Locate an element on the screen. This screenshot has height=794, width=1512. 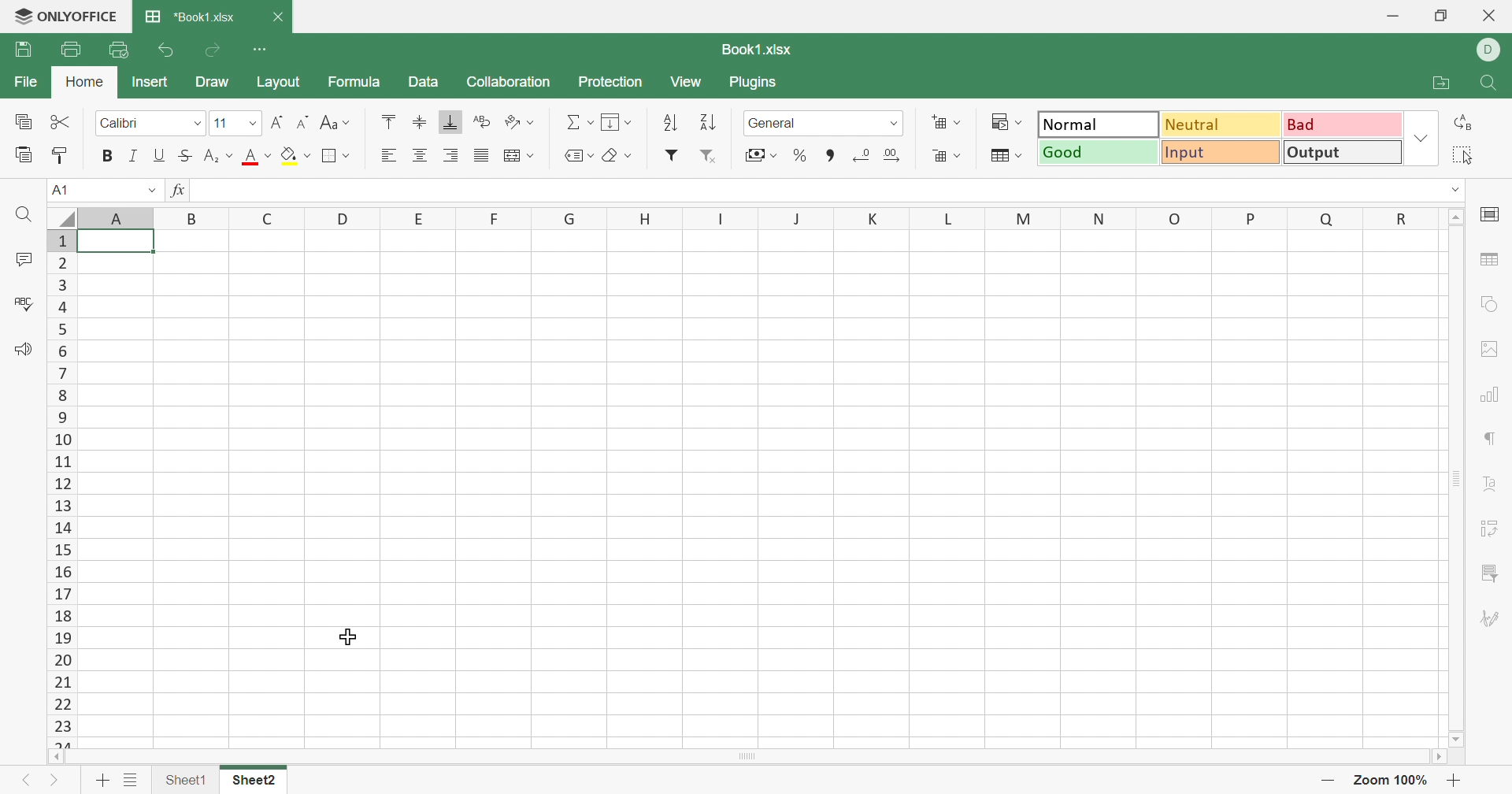
Calibri is located at coordinates (126, 121).